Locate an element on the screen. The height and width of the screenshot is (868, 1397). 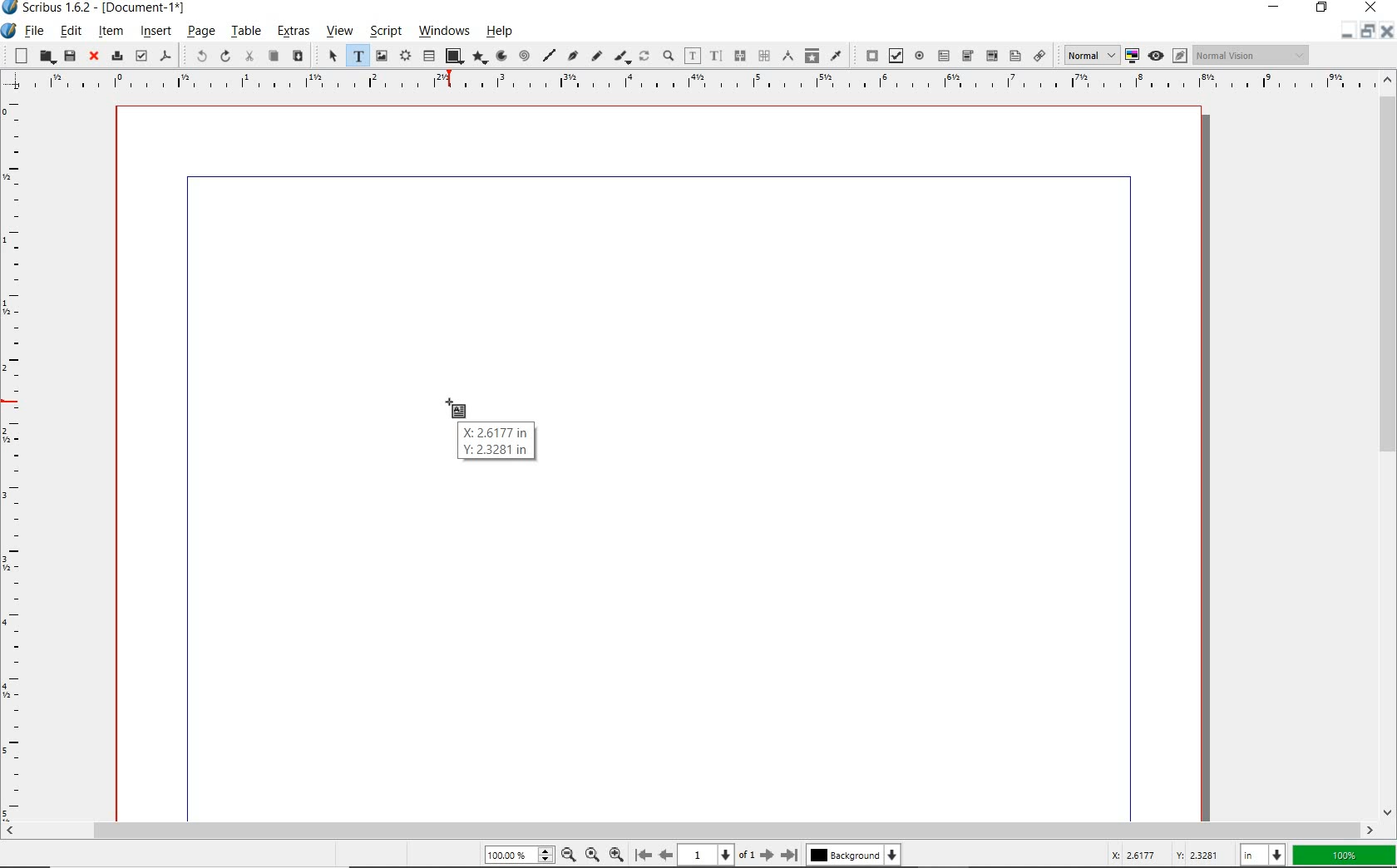
polygon is located at coordinates (481, 58).